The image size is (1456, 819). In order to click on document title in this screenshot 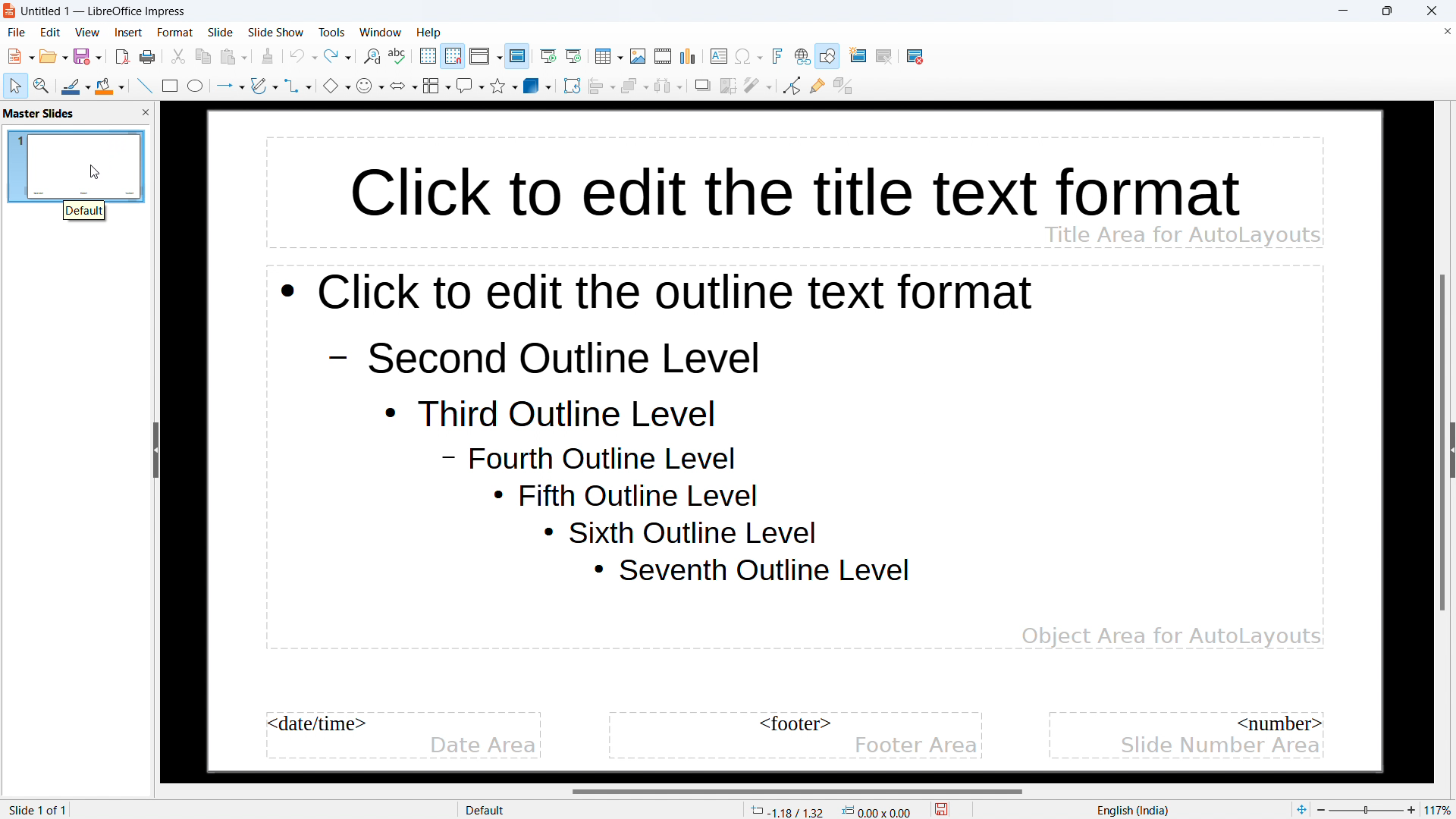, I will do `click(104, 11)`.